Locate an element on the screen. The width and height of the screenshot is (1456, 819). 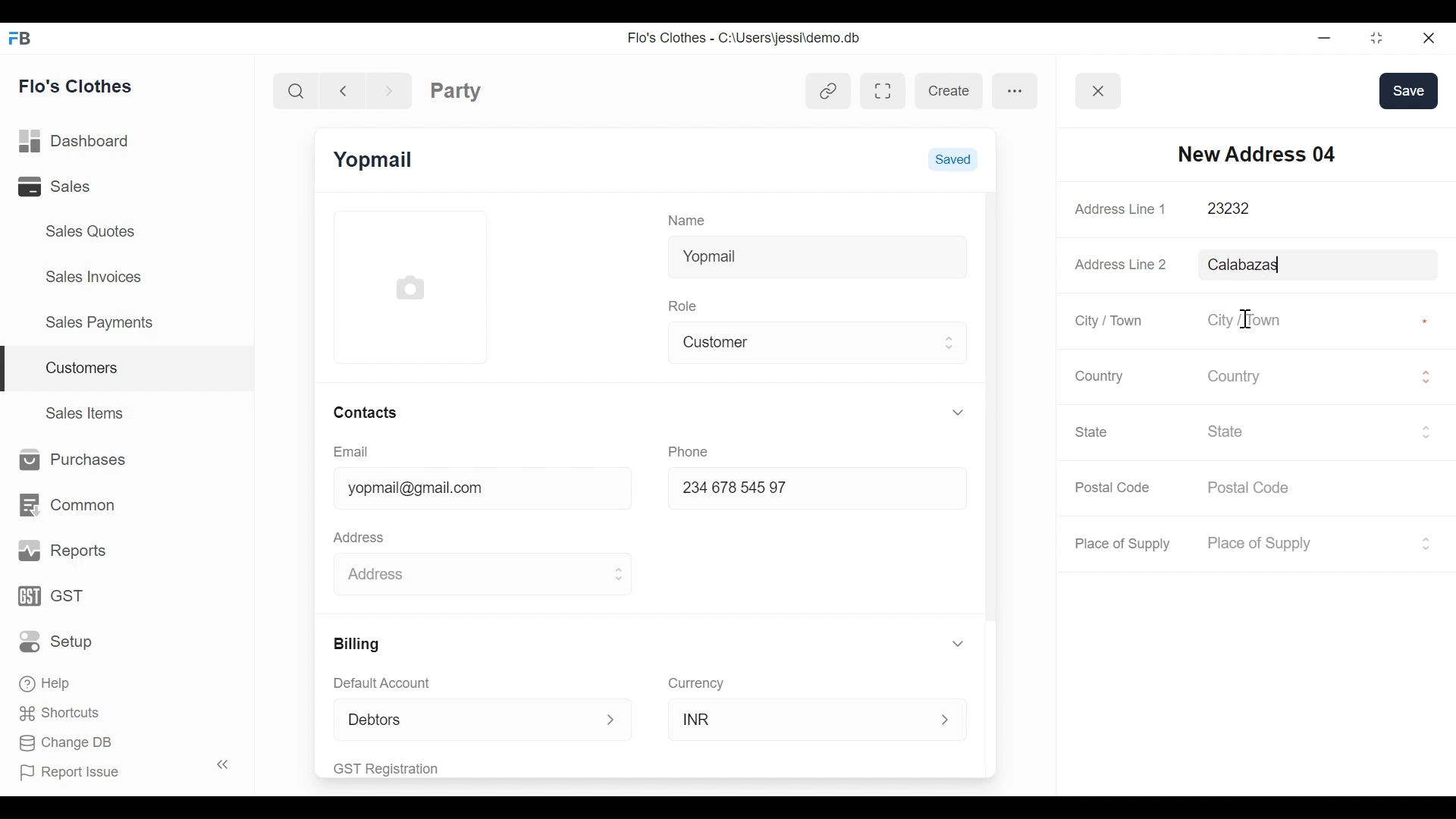
Currency is located at coordinates (697, 682).